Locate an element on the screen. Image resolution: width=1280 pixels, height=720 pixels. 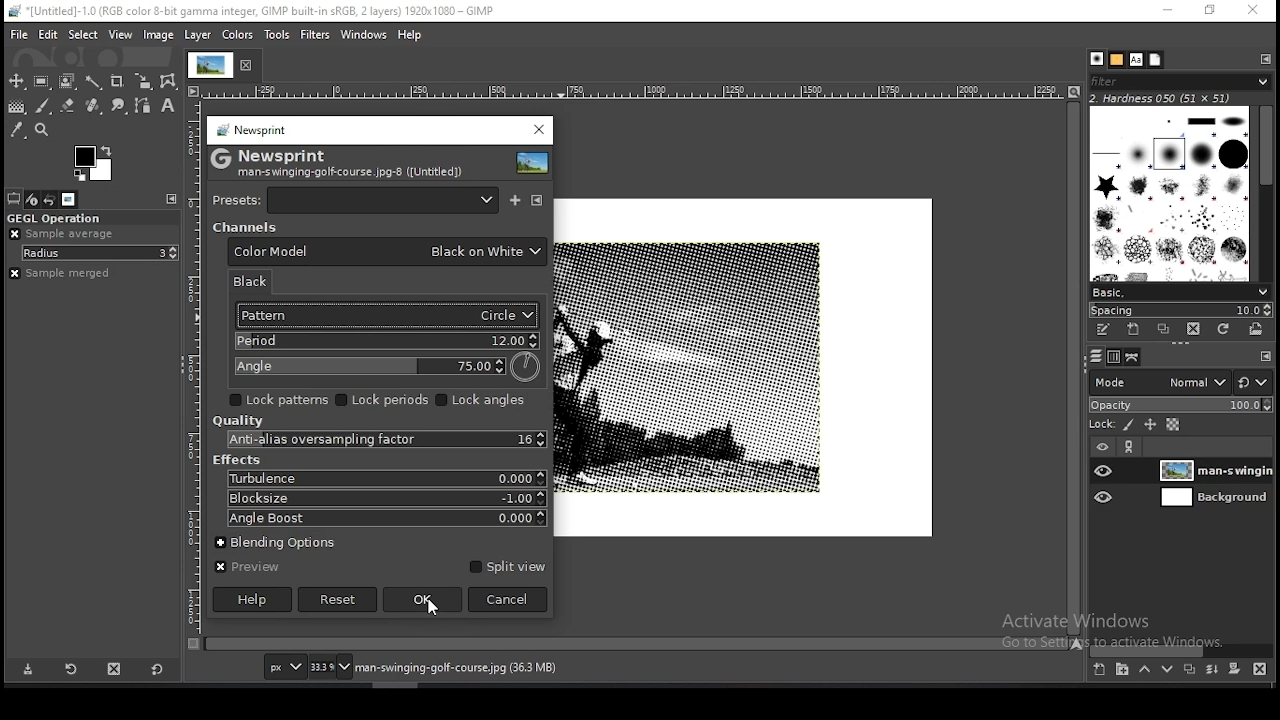
fuzzy selection tool is located at coordinates (93, 83).